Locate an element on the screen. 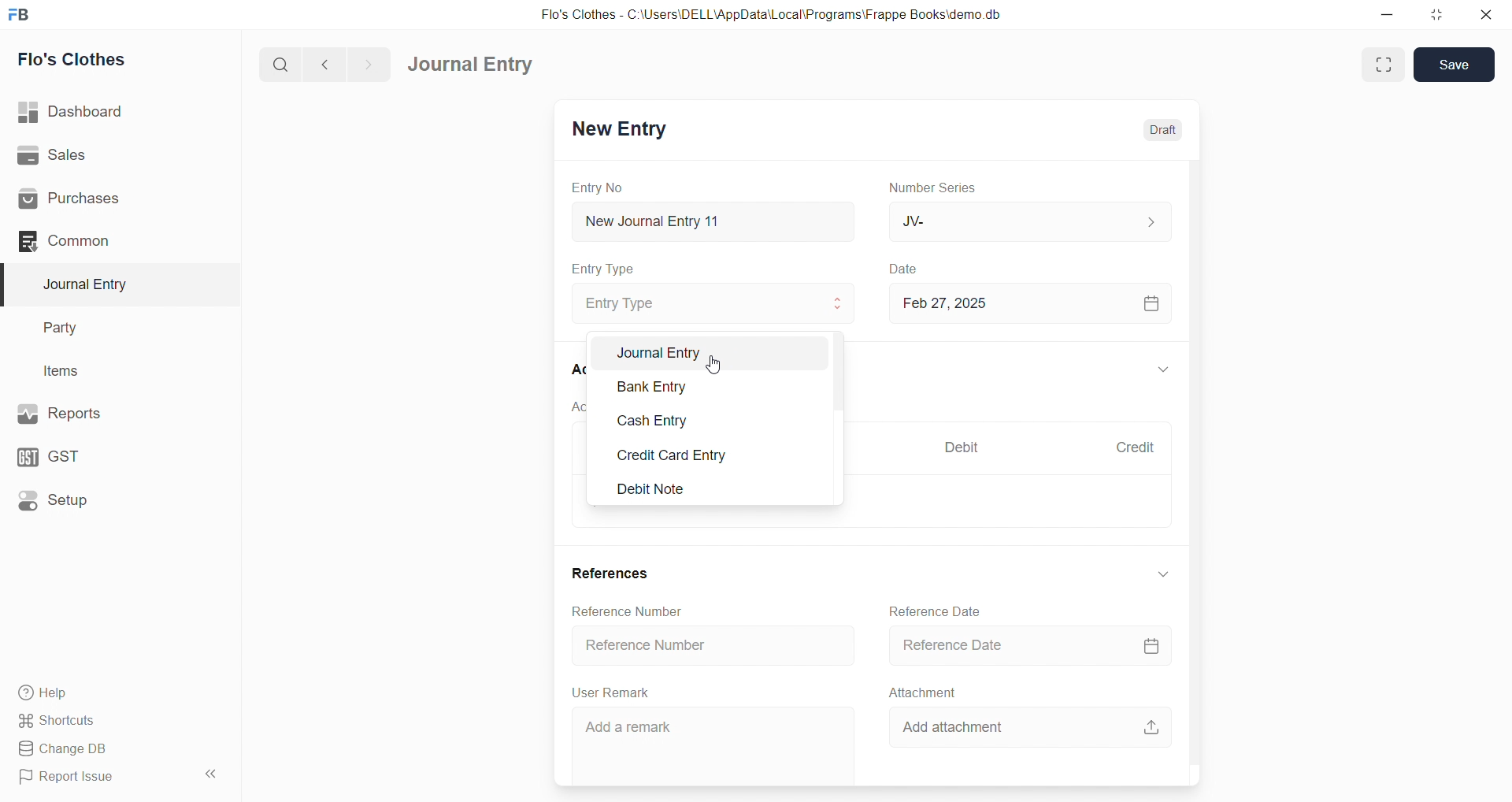 Image resolution: width=1512 pixels, height=802 pixels. Items is located at coordinates (67, 370).